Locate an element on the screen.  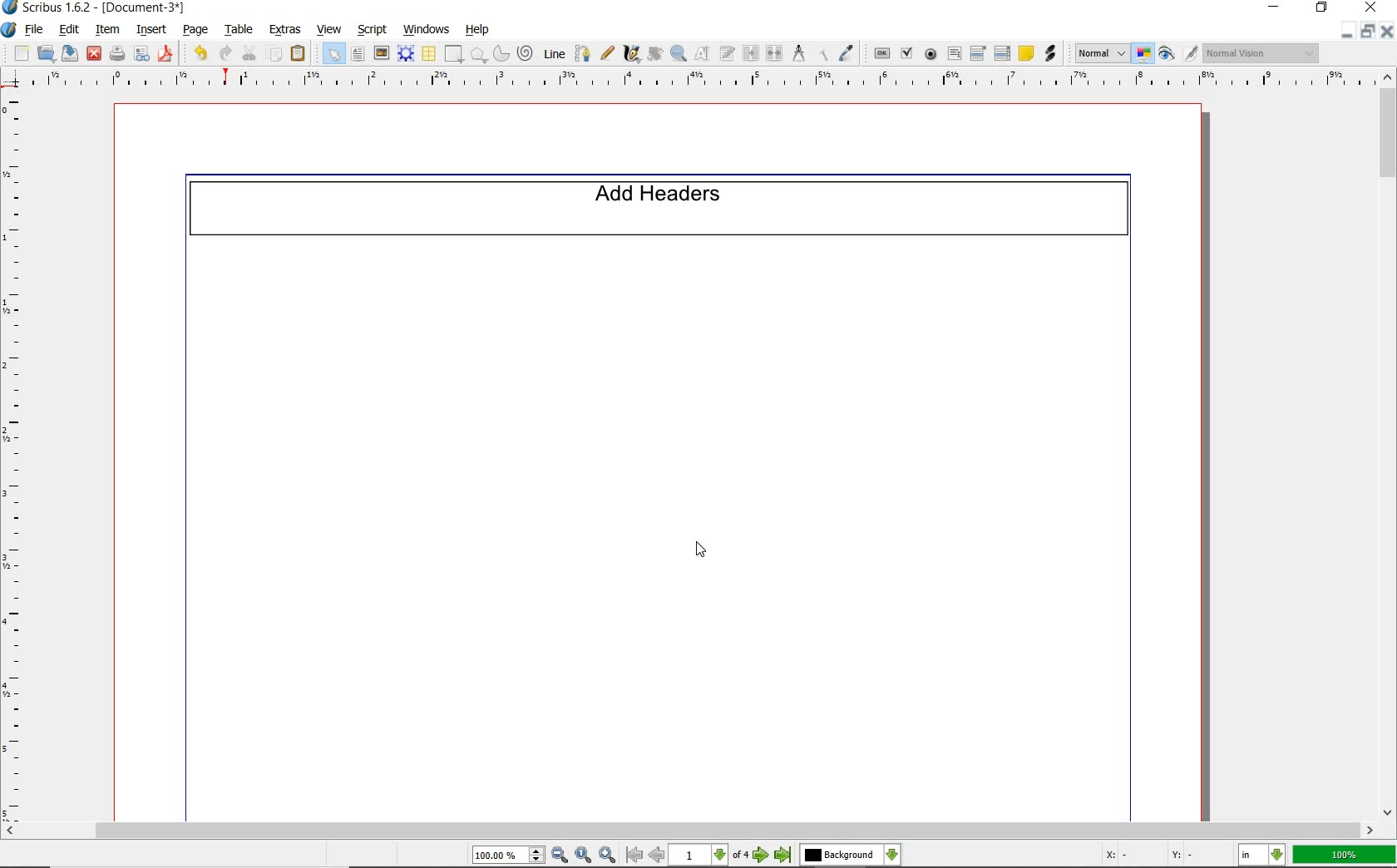
minimize is located at coordinates (1277, 7).